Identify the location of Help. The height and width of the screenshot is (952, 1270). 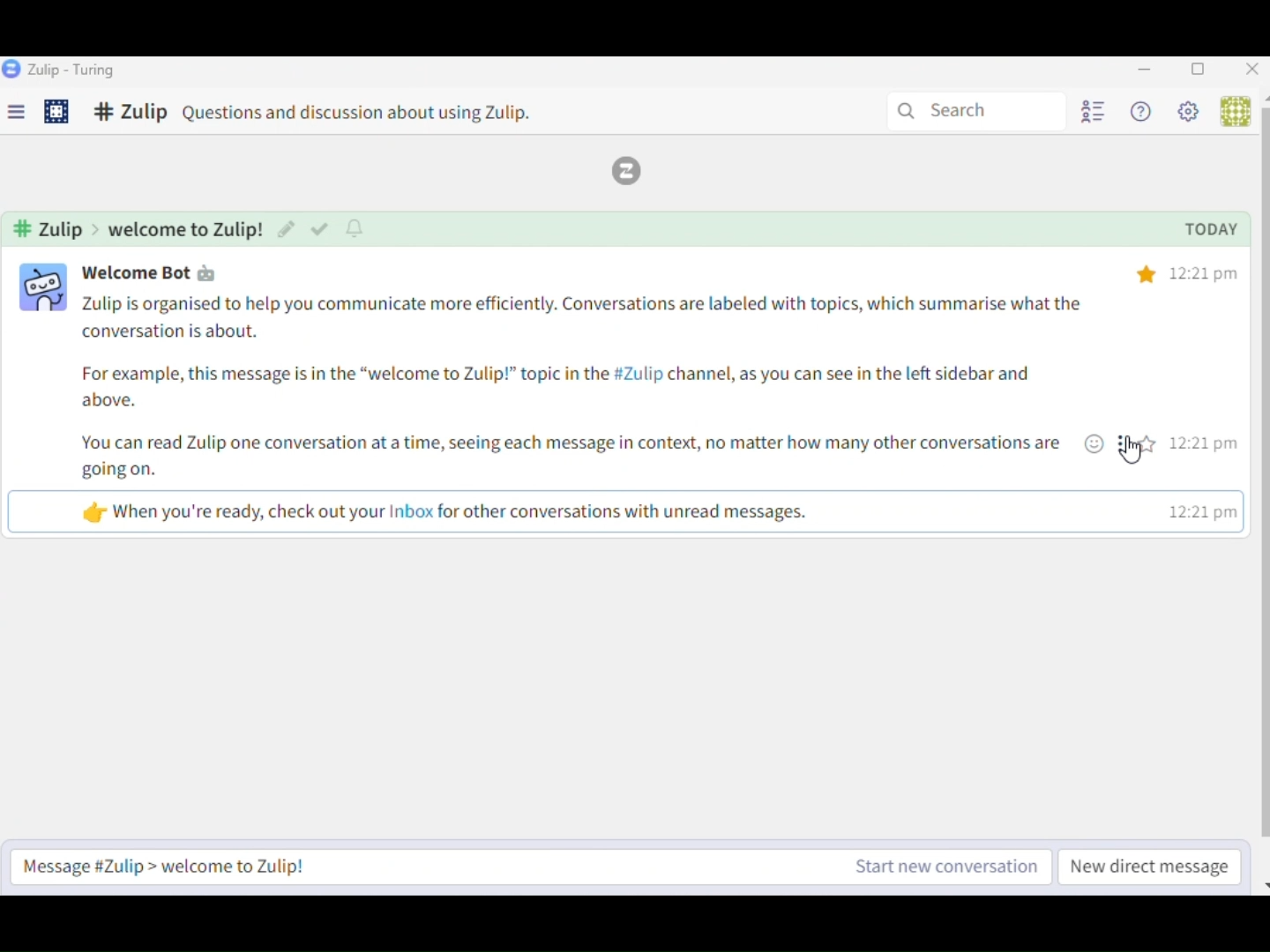
(1144, 113).